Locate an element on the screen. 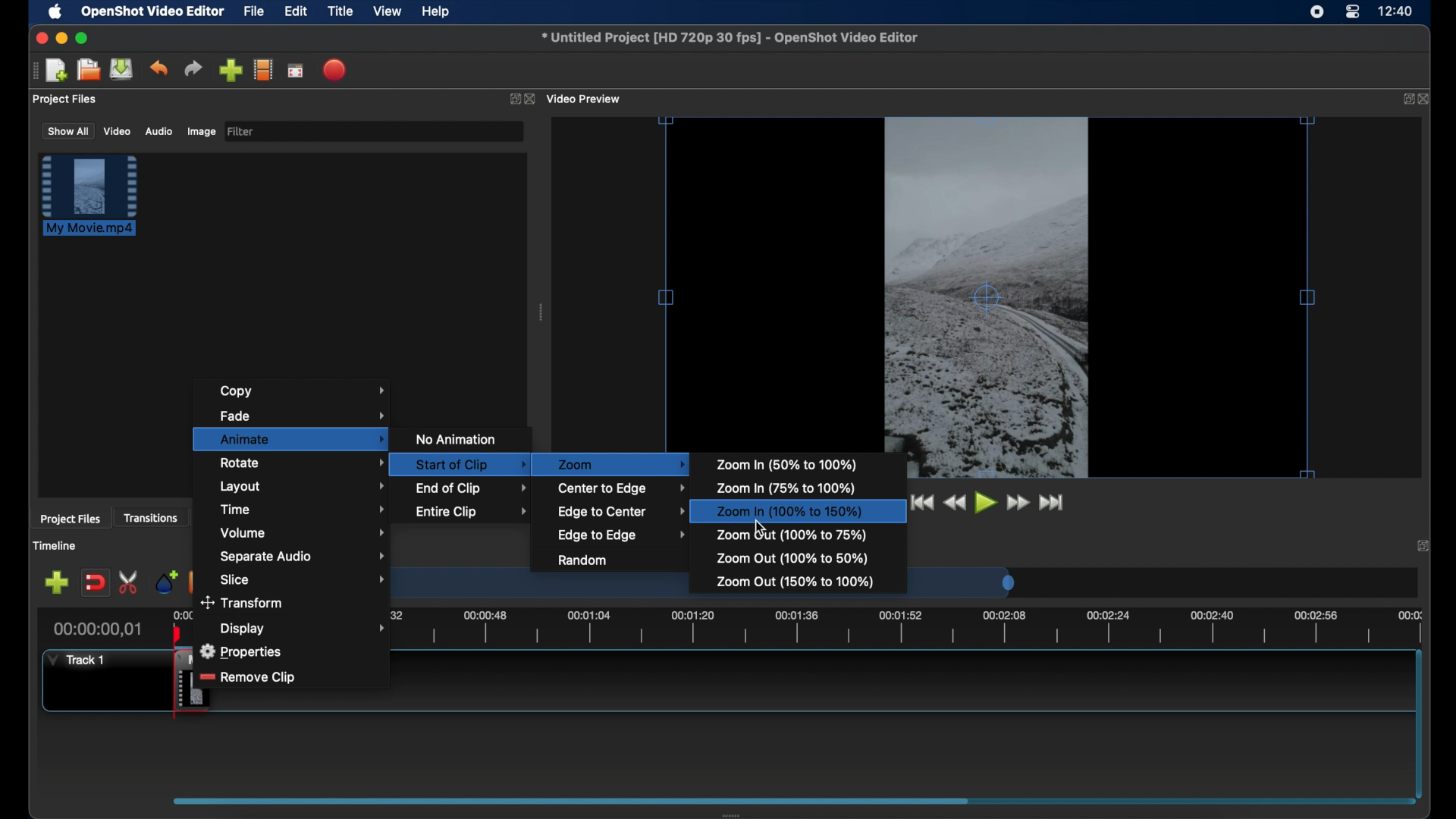 The width and height of the screenshot is (1456, 819). properties is located at coordinates (243, 651).